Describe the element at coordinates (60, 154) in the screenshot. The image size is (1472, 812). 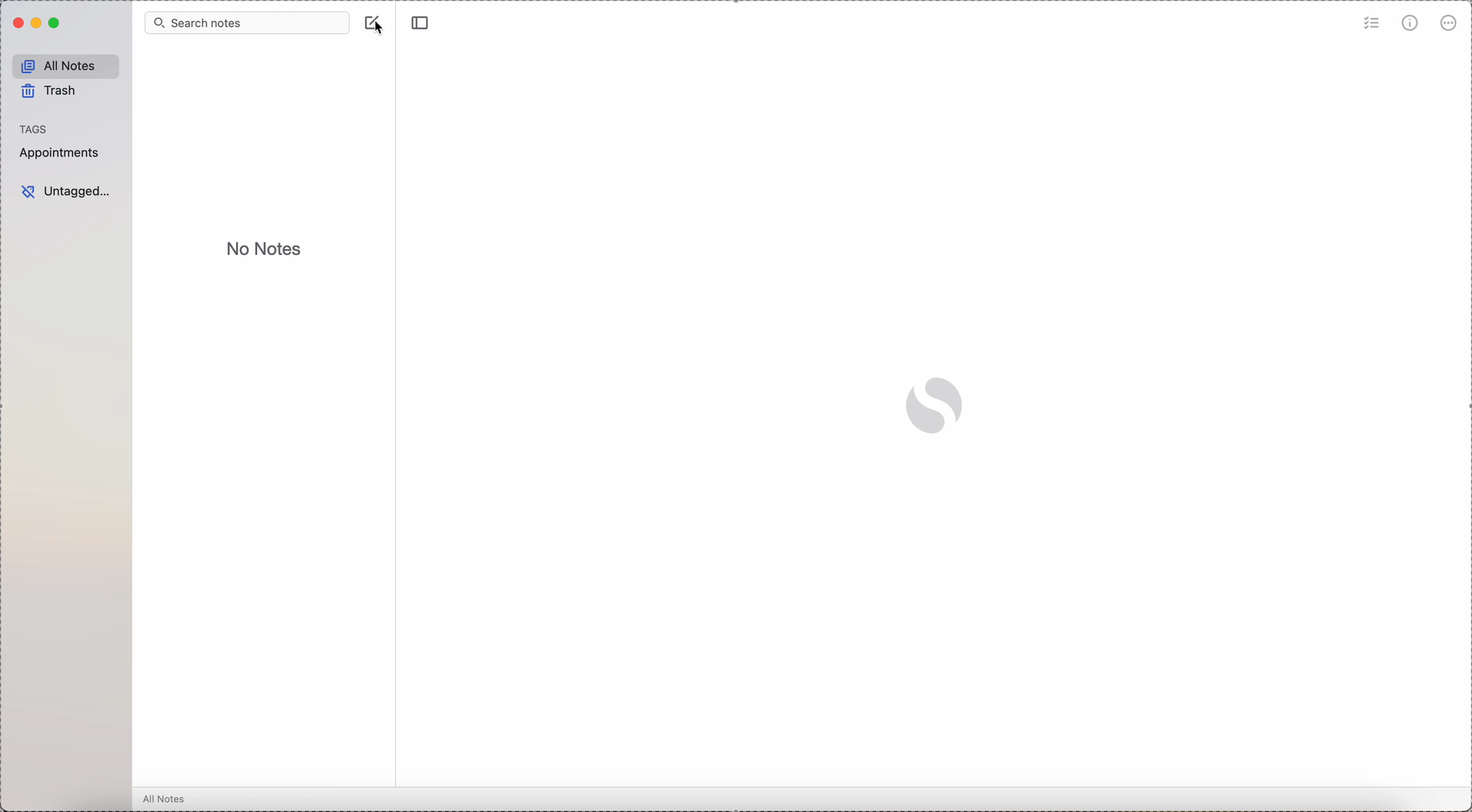
I see `appointments tag` at that location.